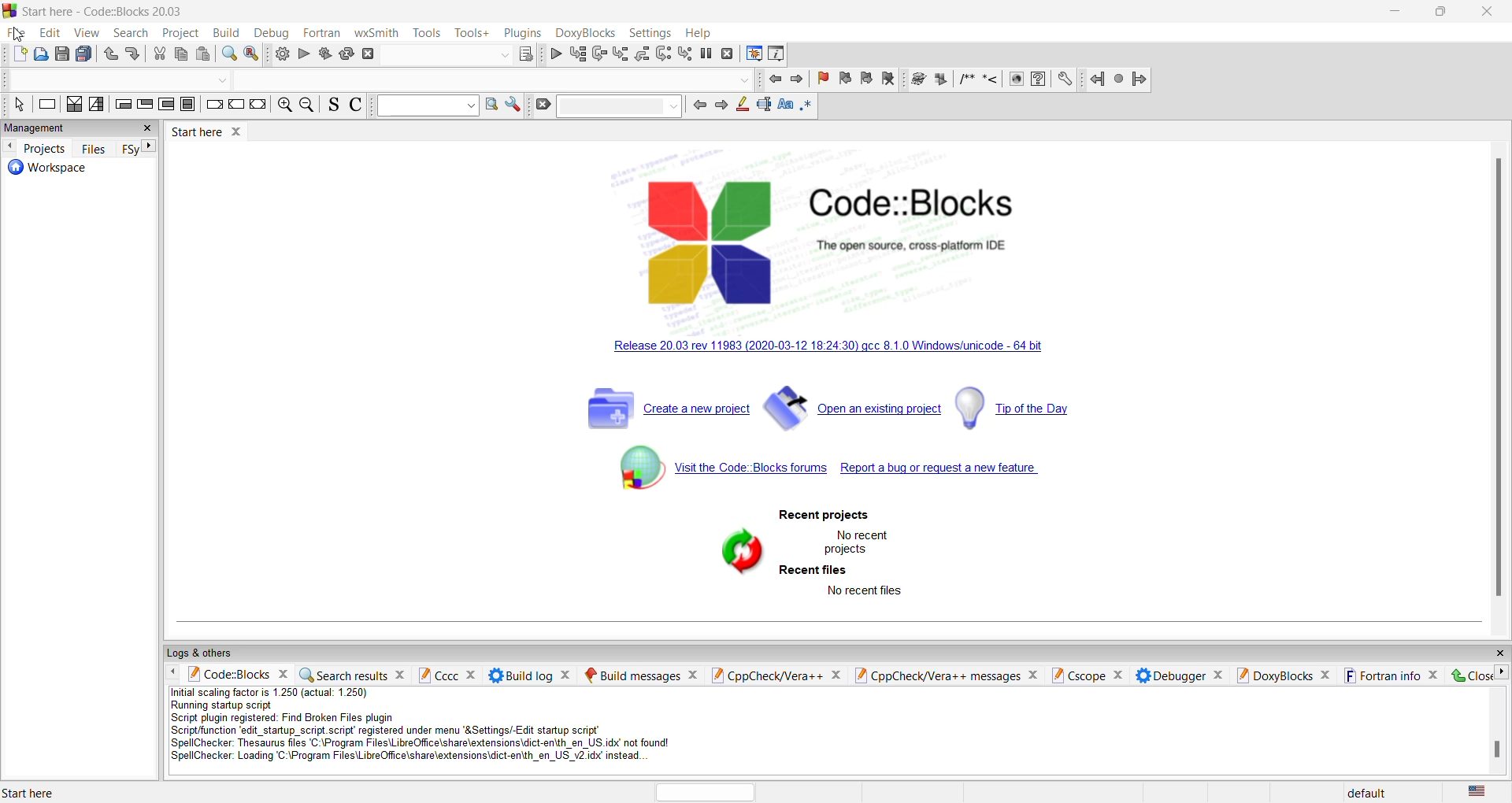 Image resolution: width=1512 pixels, height=803 pixels. I want to click on next bookmark, so click(865, 78).